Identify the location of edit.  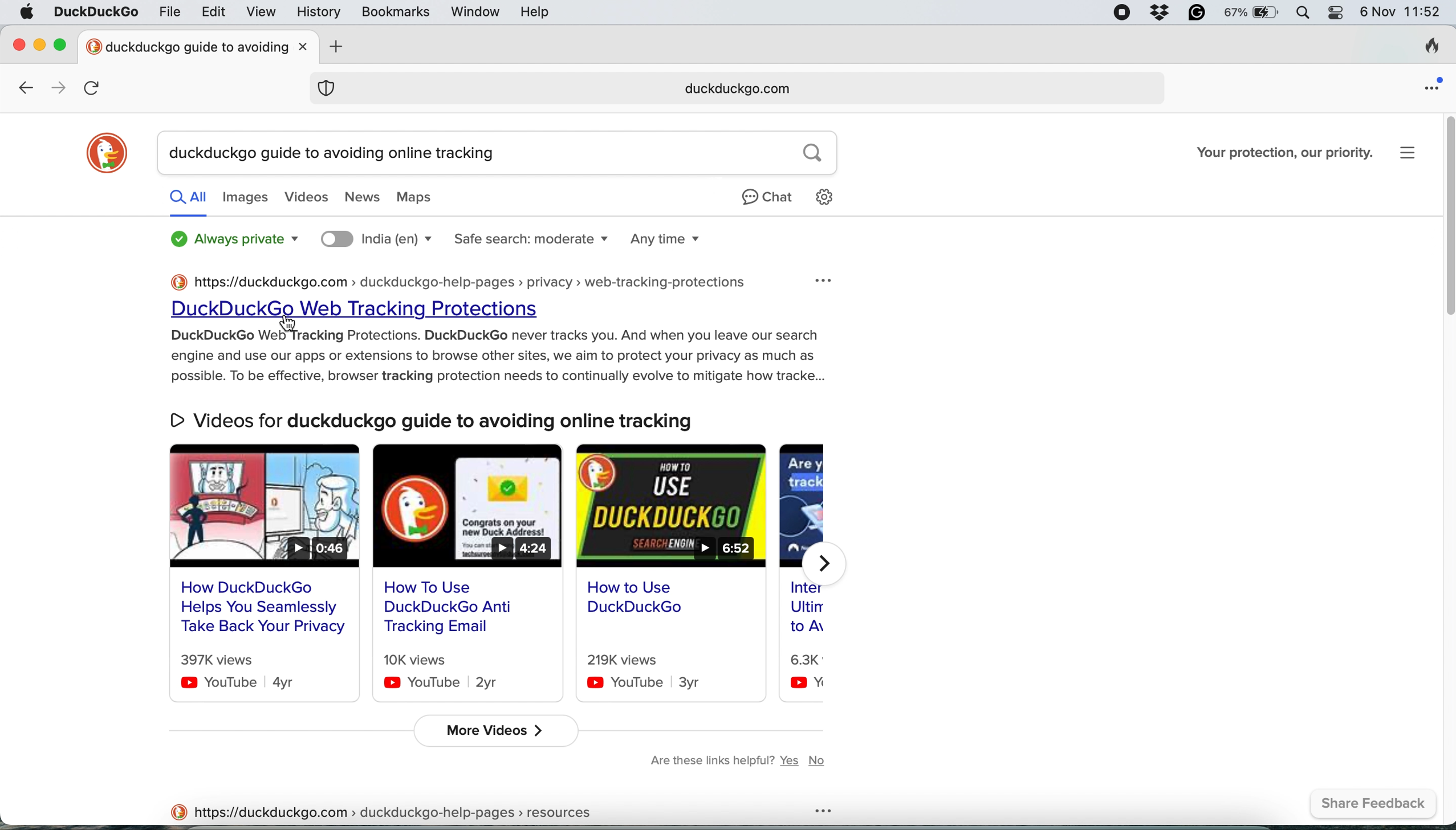
(212, 12).